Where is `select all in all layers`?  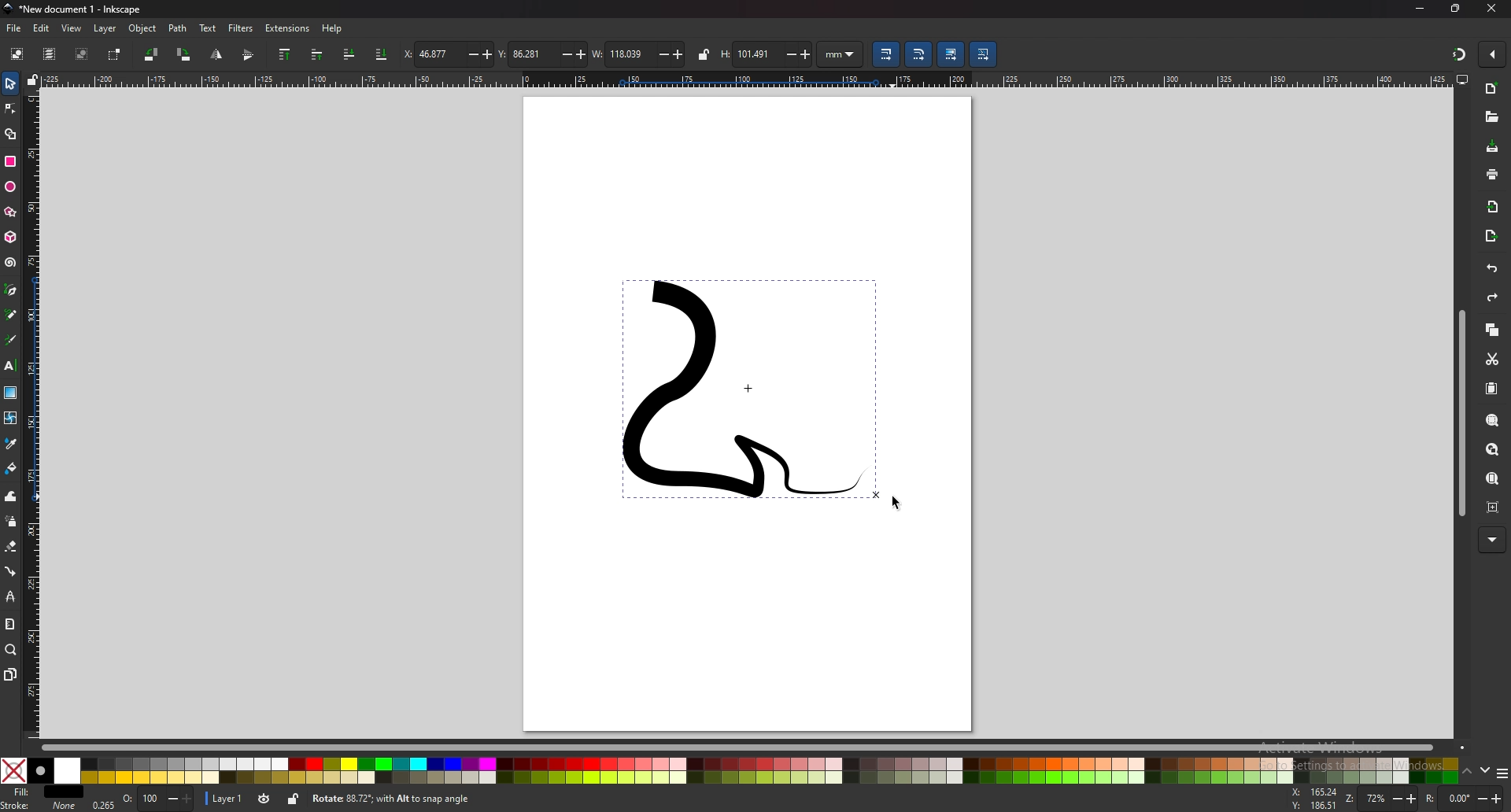
select all in all layers is located at coordinates (49, 54).